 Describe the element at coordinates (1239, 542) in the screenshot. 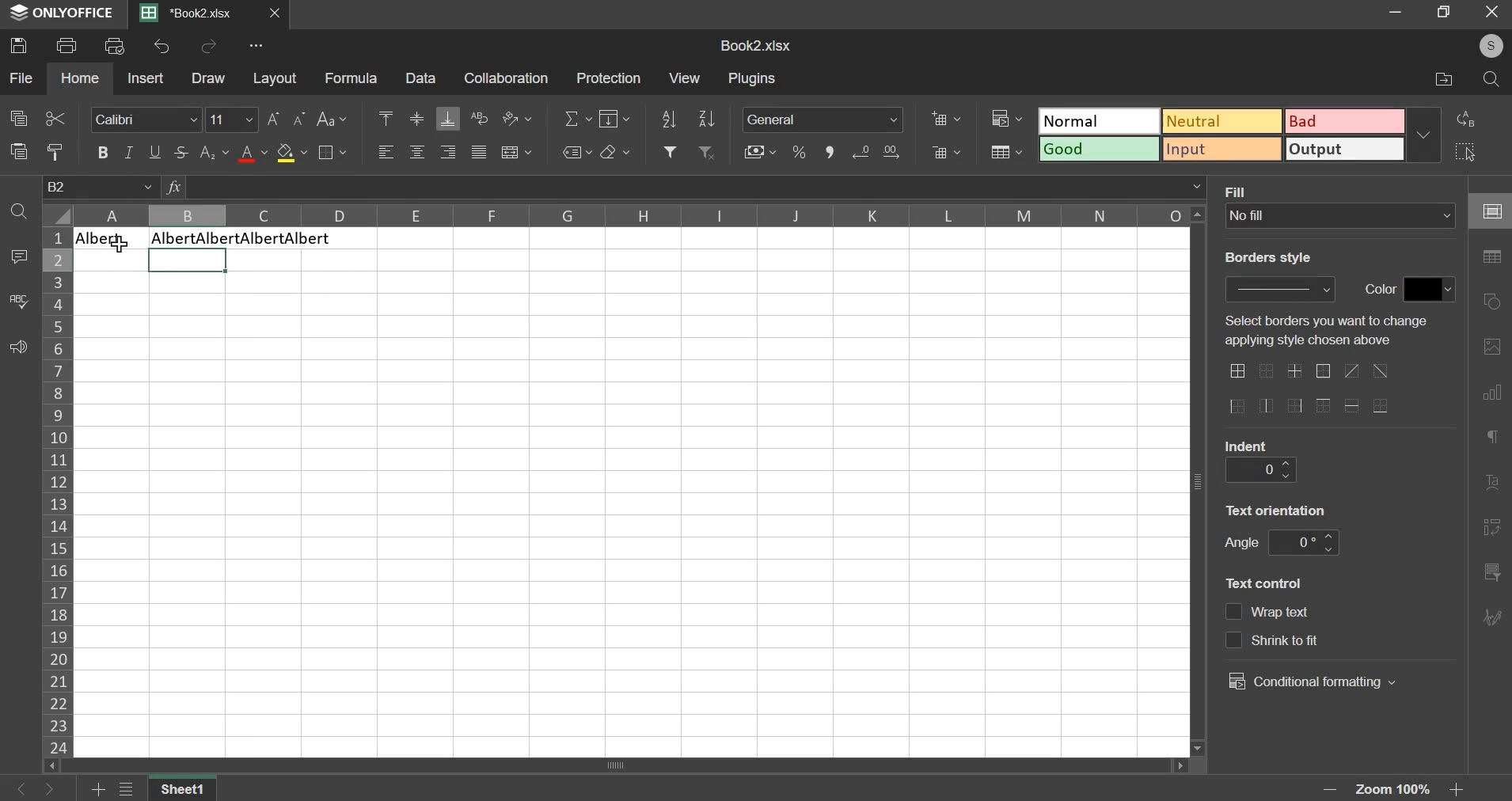

I see `text` at that location.